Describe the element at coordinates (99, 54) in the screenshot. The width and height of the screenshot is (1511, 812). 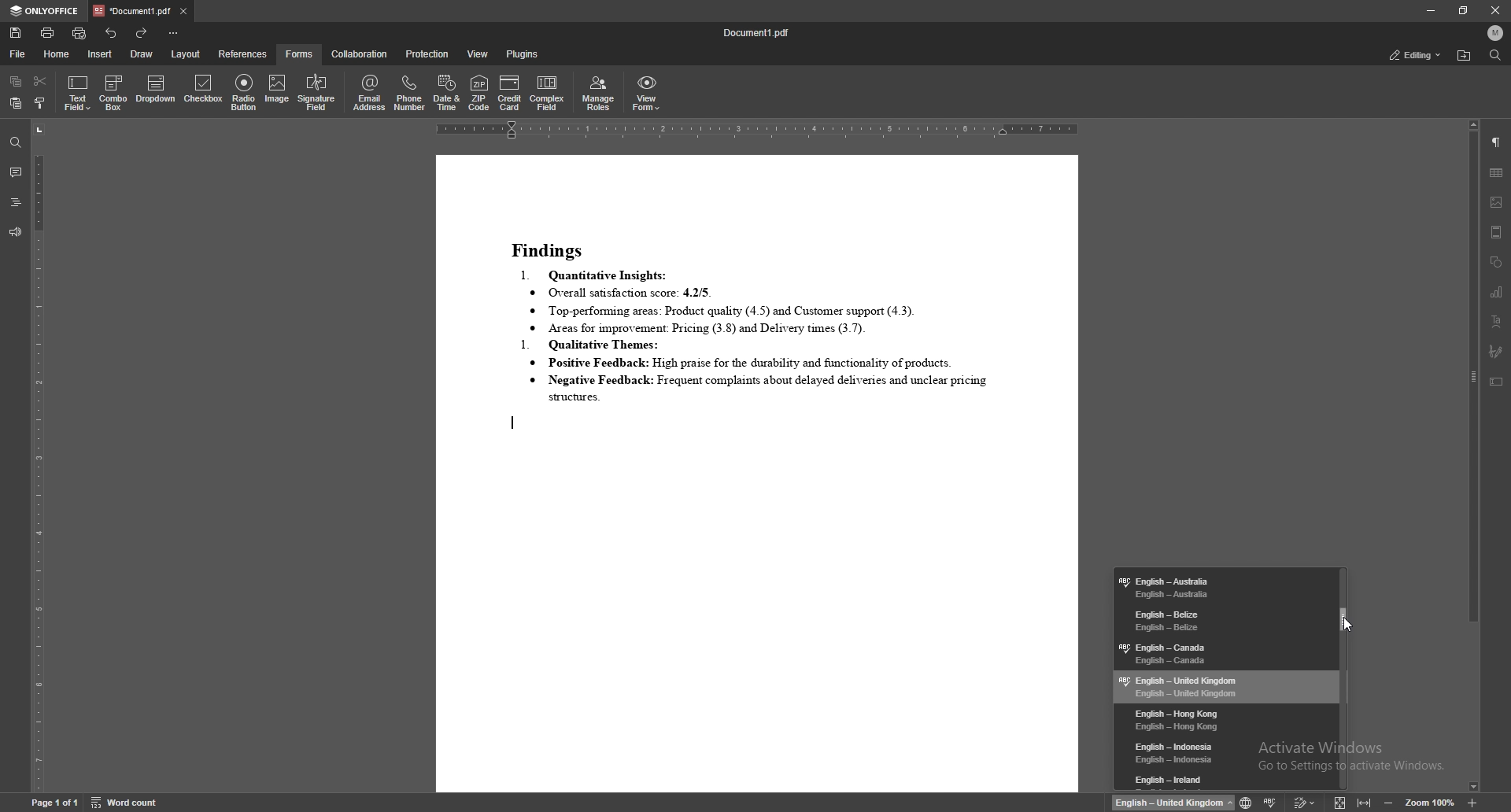
I see `insert` at that location.